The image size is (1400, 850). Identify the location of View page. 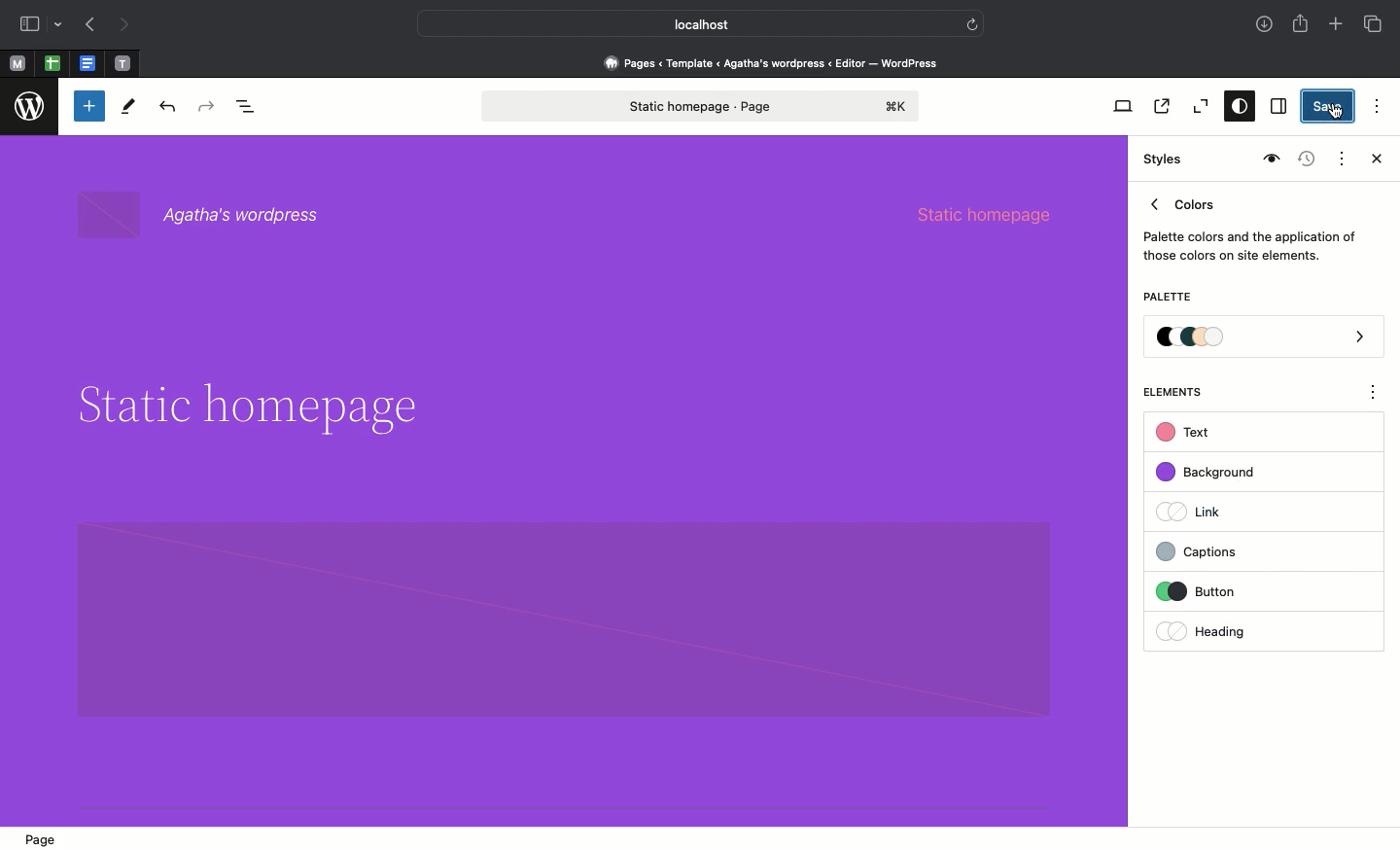
(1160, 106).